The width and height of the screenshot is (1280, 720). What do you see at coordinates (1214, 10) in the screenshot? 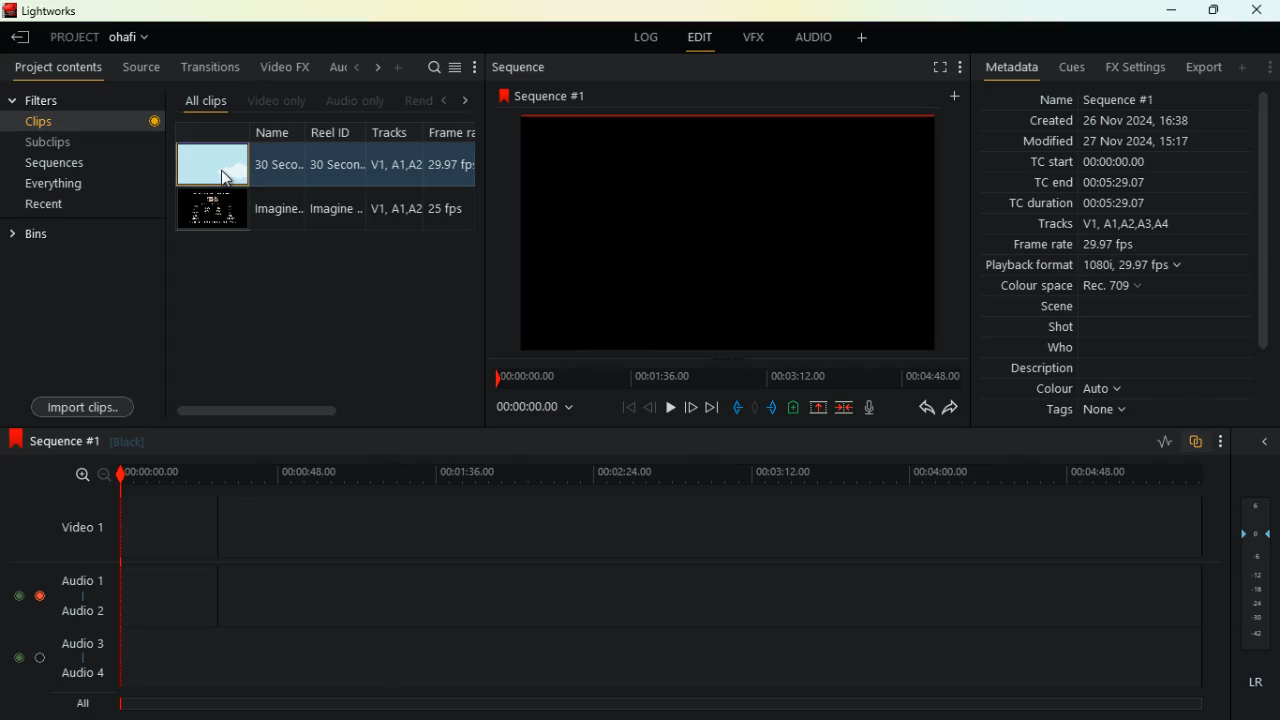
I see `maximize` at bounding box center [1214, 10].